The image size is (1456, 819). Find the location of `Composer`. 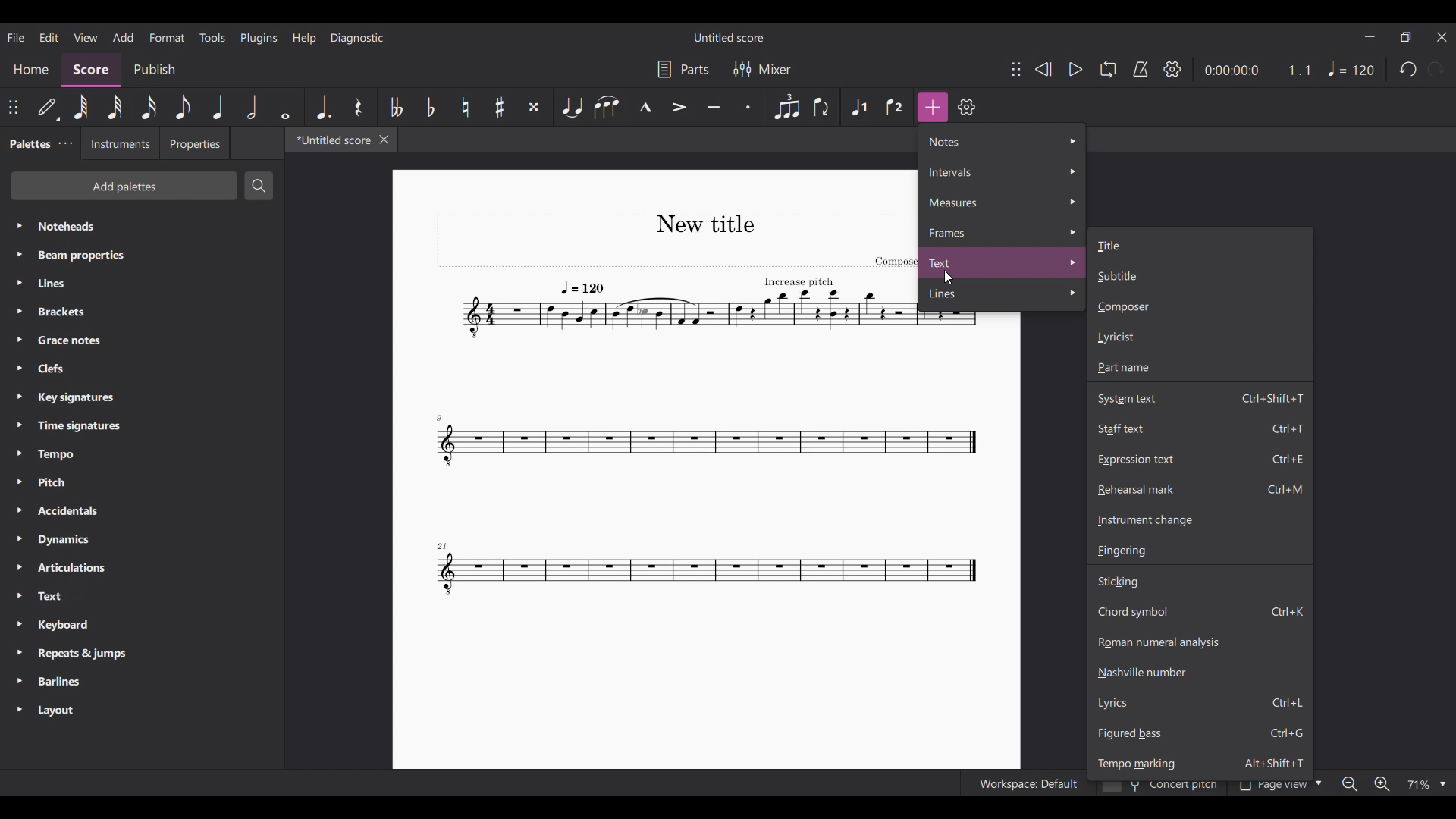

Composer is located at coordinates (1200, 307).